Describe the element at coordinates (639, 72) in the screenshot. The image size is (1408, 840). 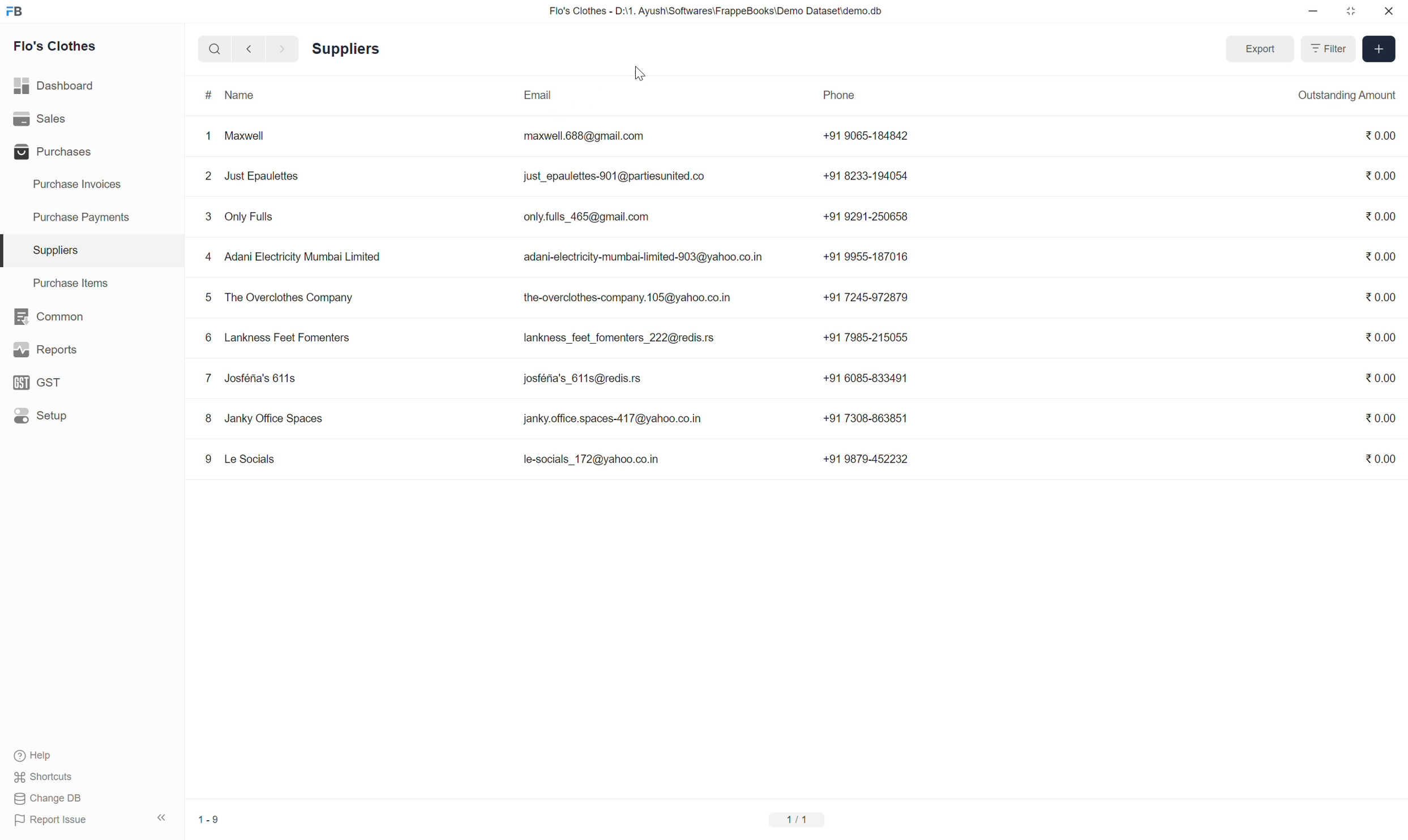
I see `cursor` at that location.